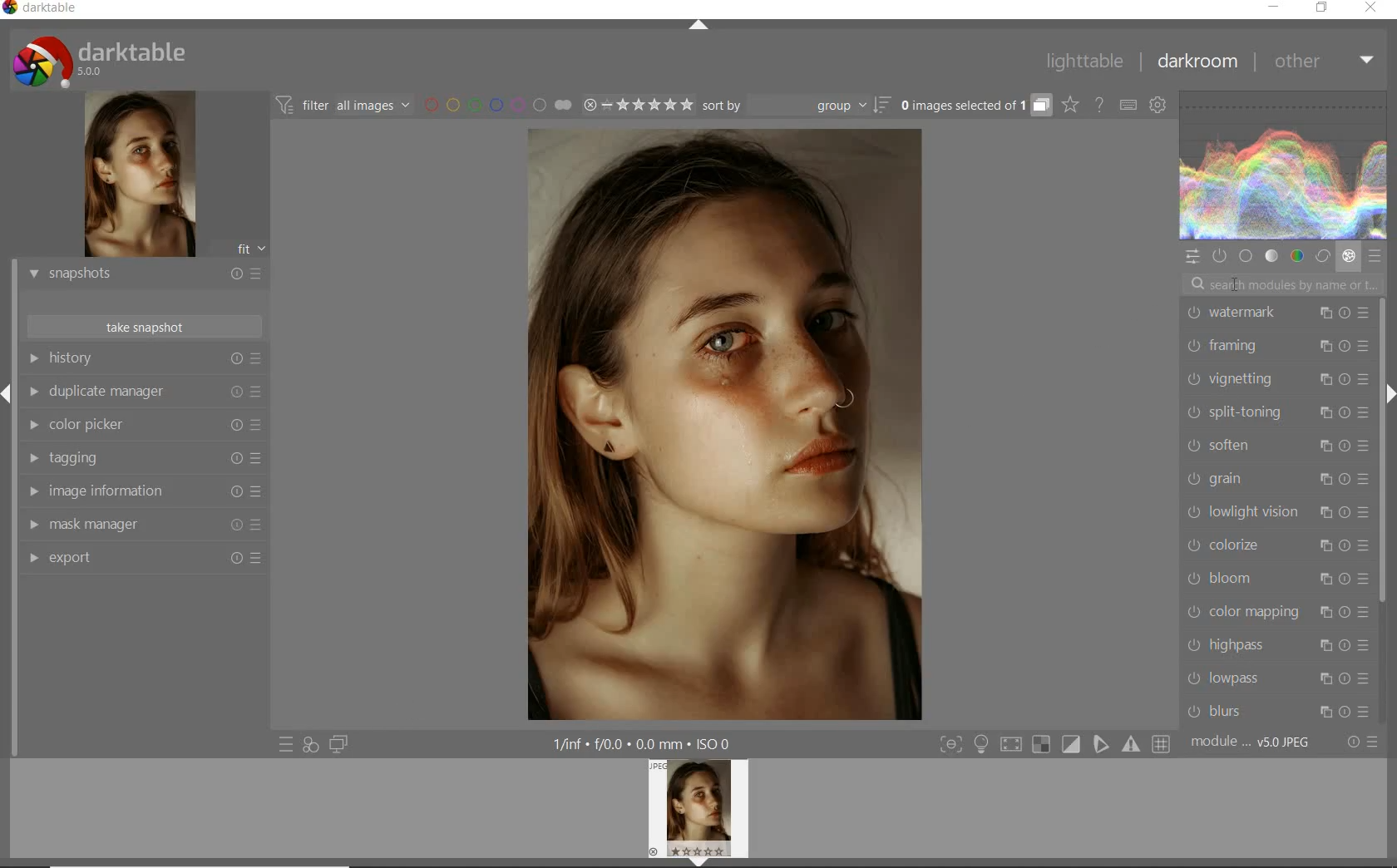 Image resolution: width=1397 pixels, height=868 pixels. Describe the element at coordinates (1298, 258) in the screenshot. I see `color` at that location.